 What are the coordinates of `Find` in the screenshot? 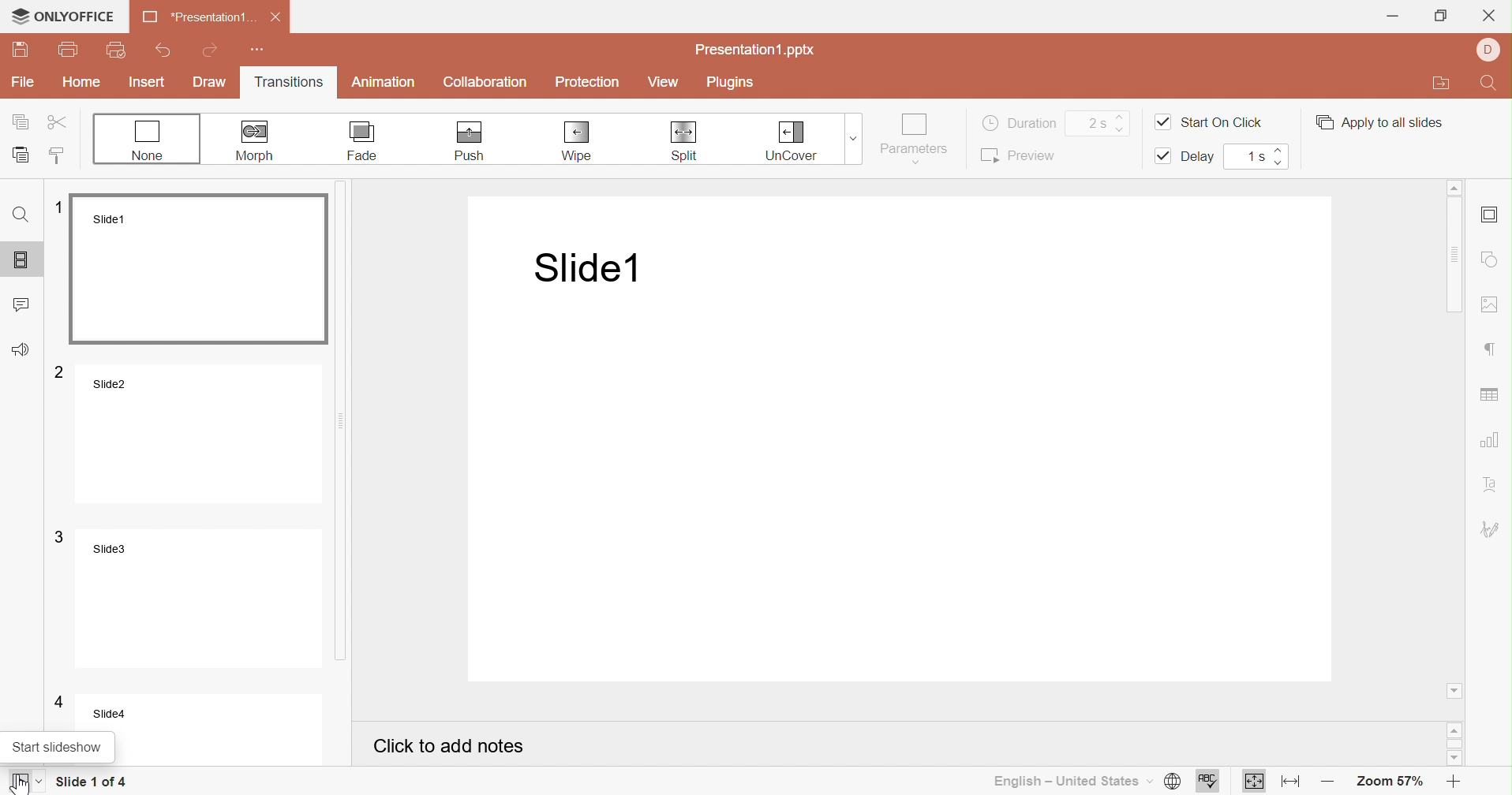 It's located at (1491, 85).